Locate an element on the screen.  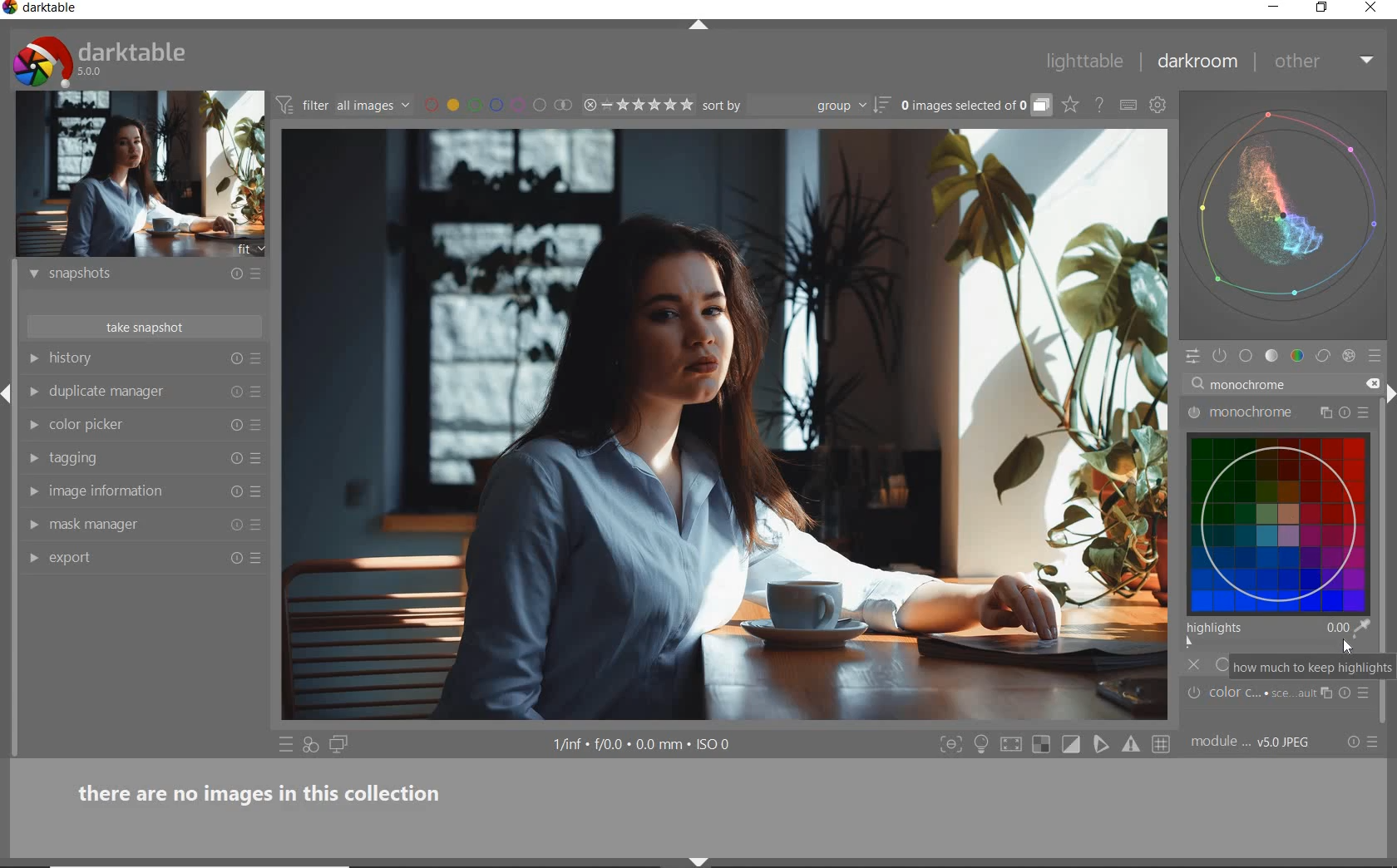
show module is located at coordinates (37, 426).